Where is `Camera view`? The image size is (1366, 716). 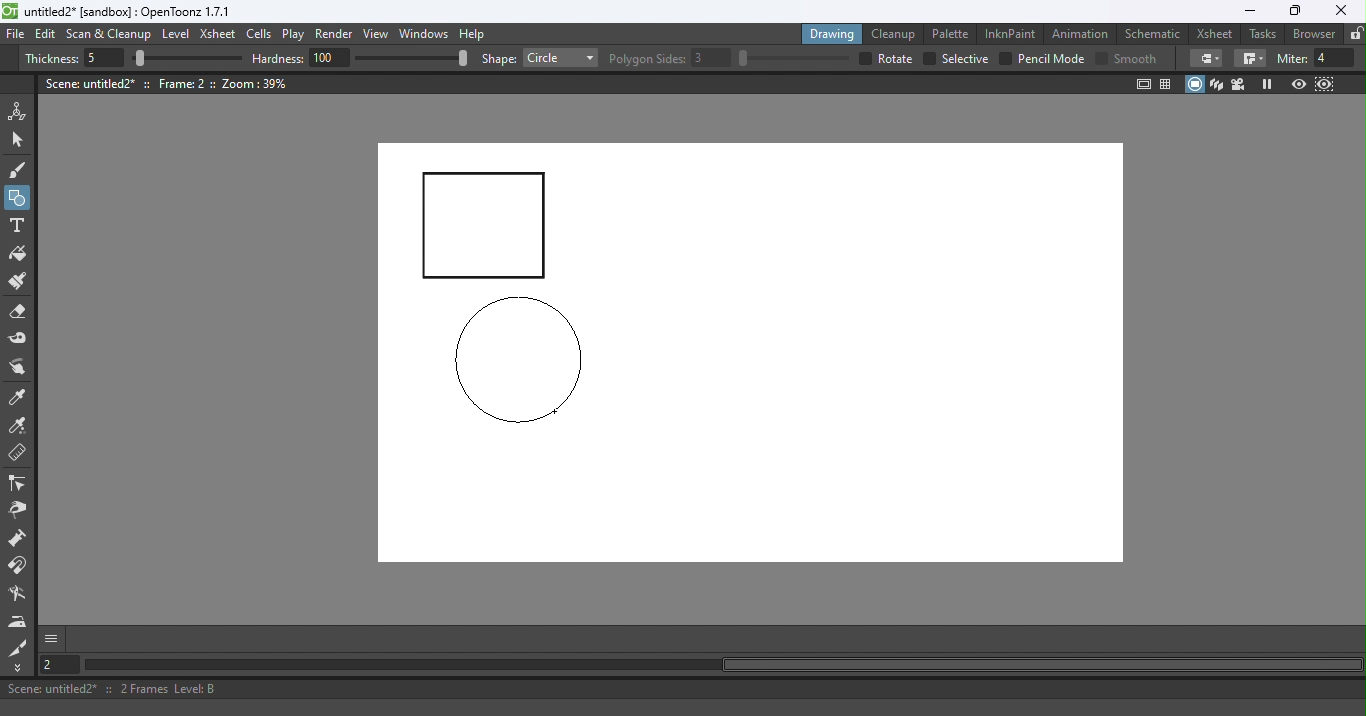
Camera view is located at coordinates (1241, 83).